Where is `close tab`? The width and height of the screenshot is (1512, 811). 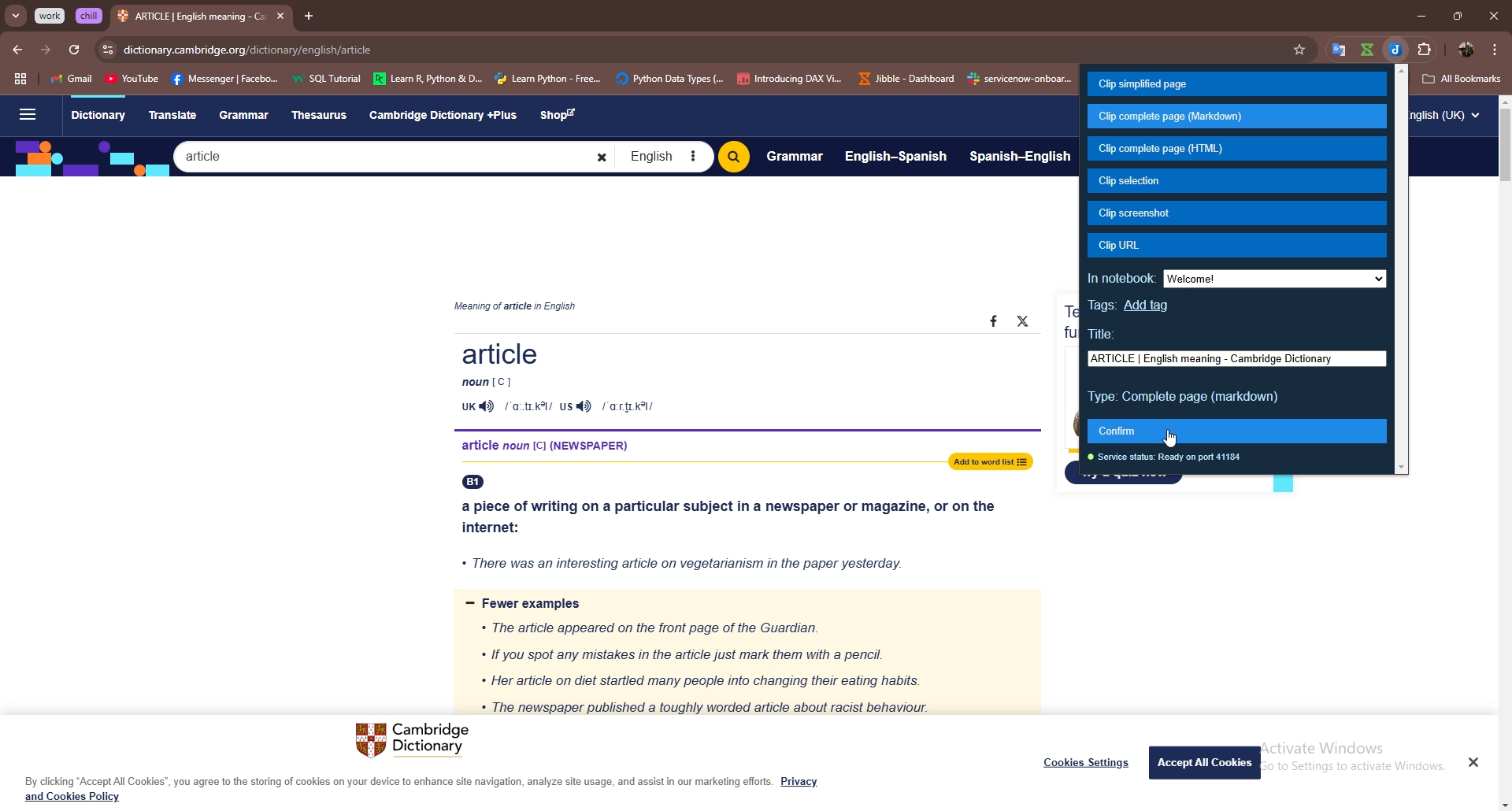
close tab is located at coordinates (280, 16).